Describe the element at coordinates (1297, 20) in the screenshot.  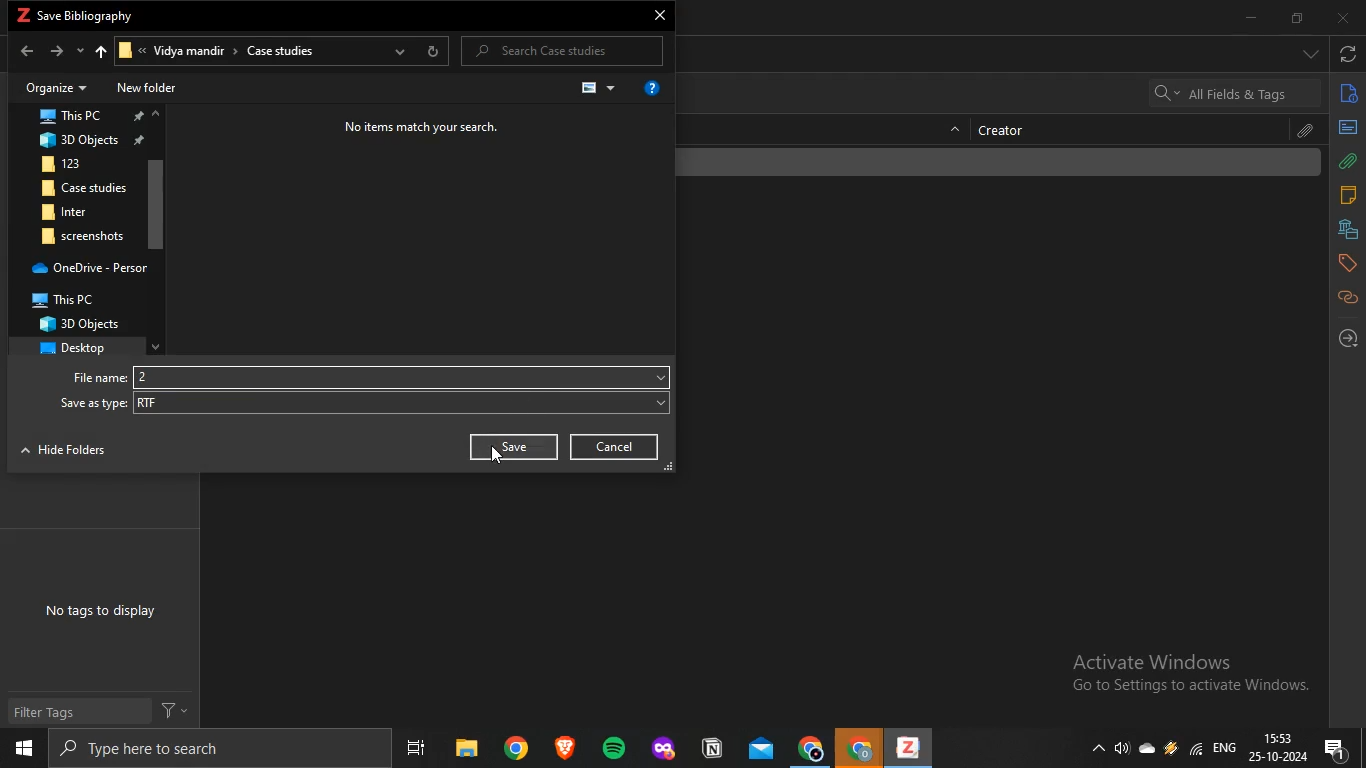
I see `restore down` at that location.